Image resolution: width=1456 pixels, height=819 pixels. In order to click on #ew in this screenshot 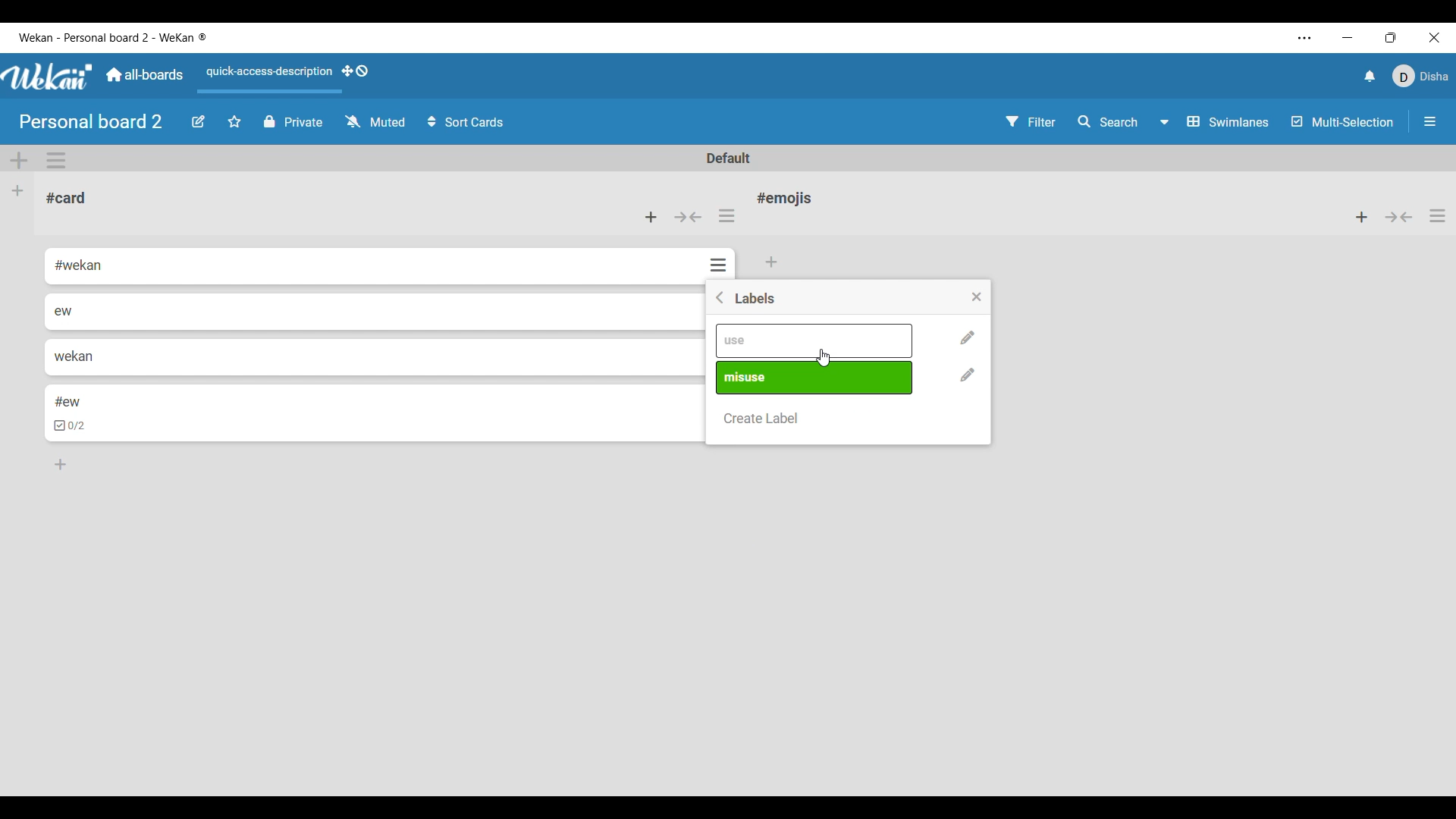, I will do `click(68, 400)`.